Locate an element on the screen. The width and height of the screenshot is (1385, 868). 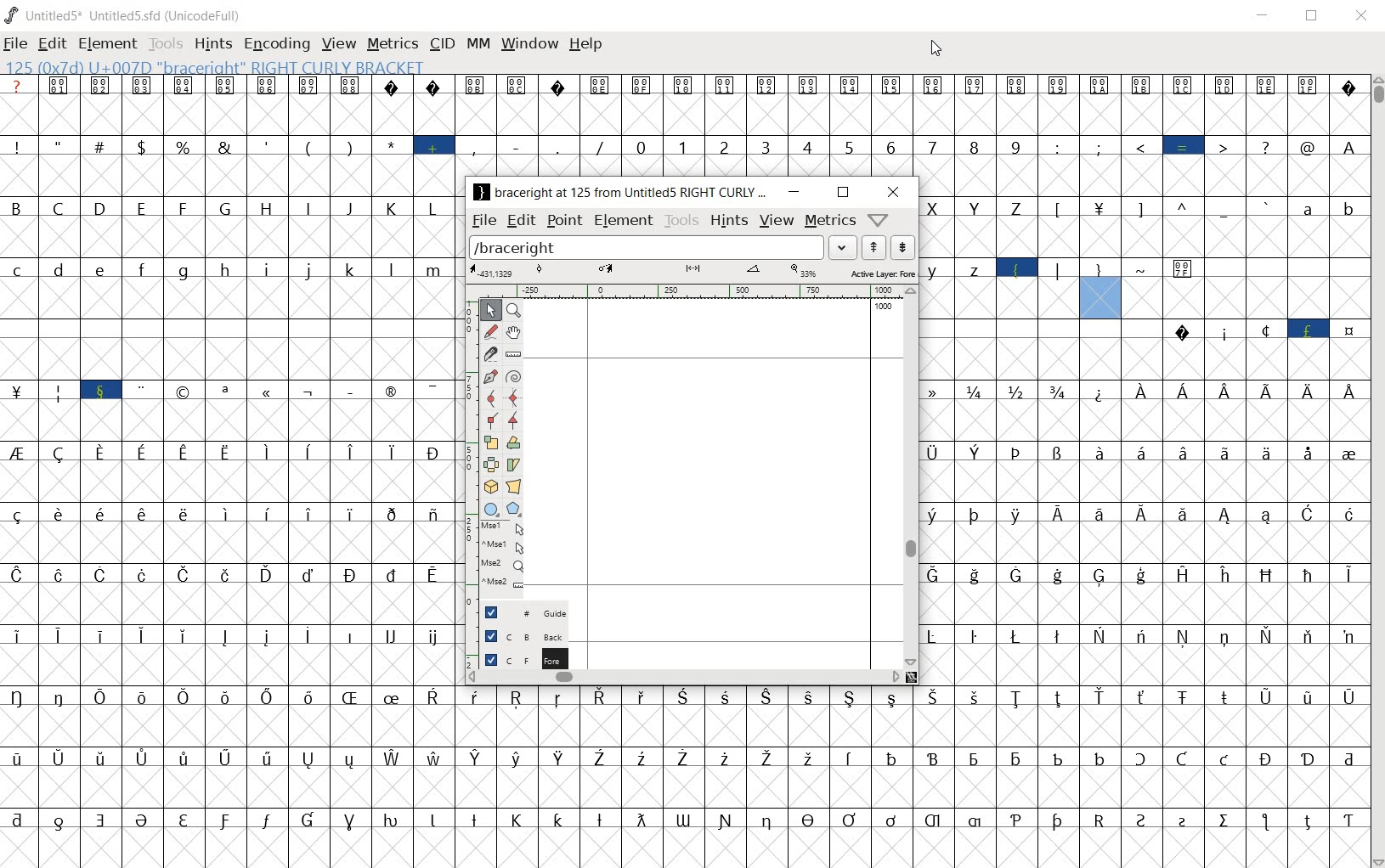
METRICS is located at coordinates (392, 45).